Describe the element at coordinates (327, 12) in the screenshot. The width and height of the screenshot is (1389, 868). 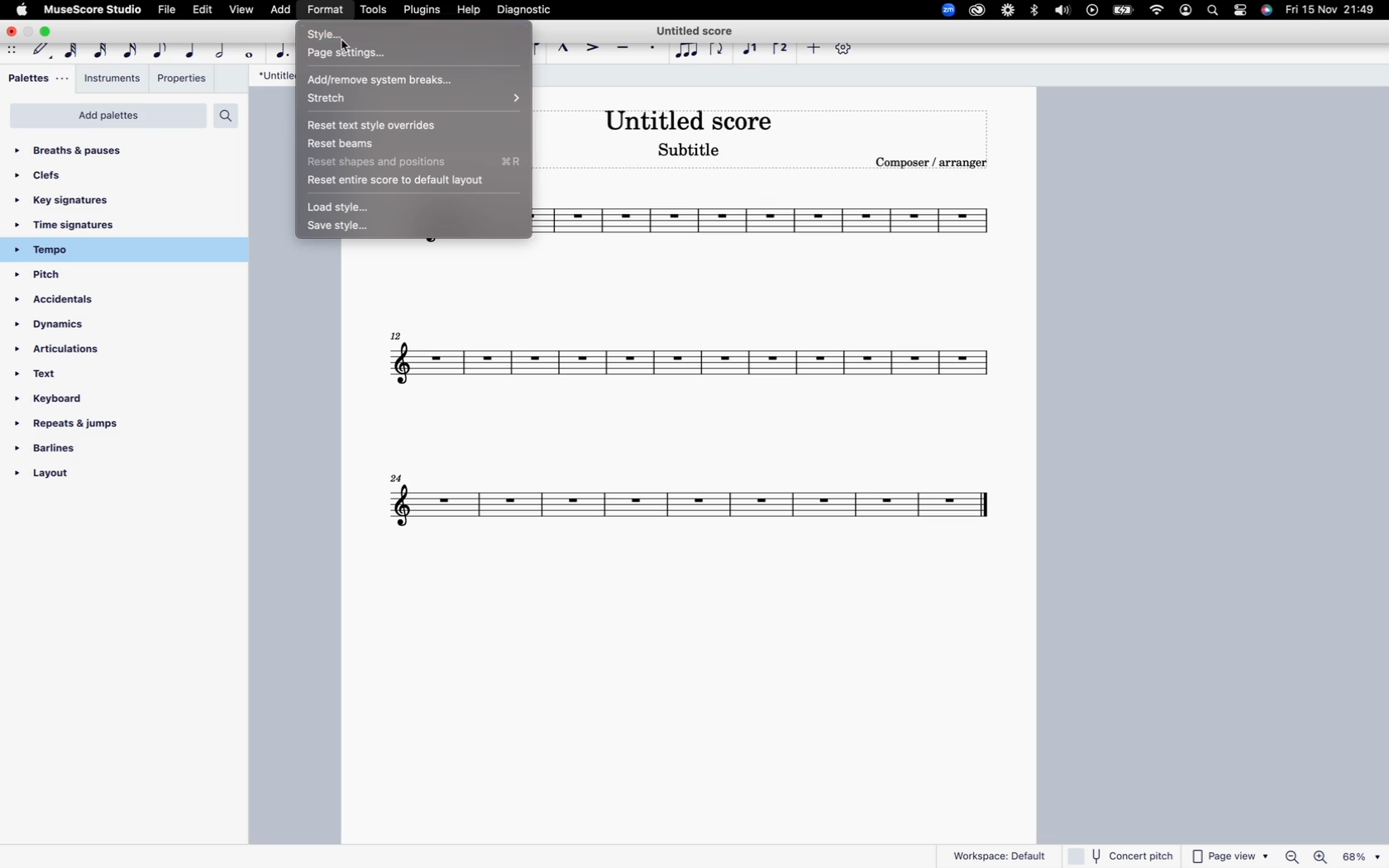
I see `format` at that location.